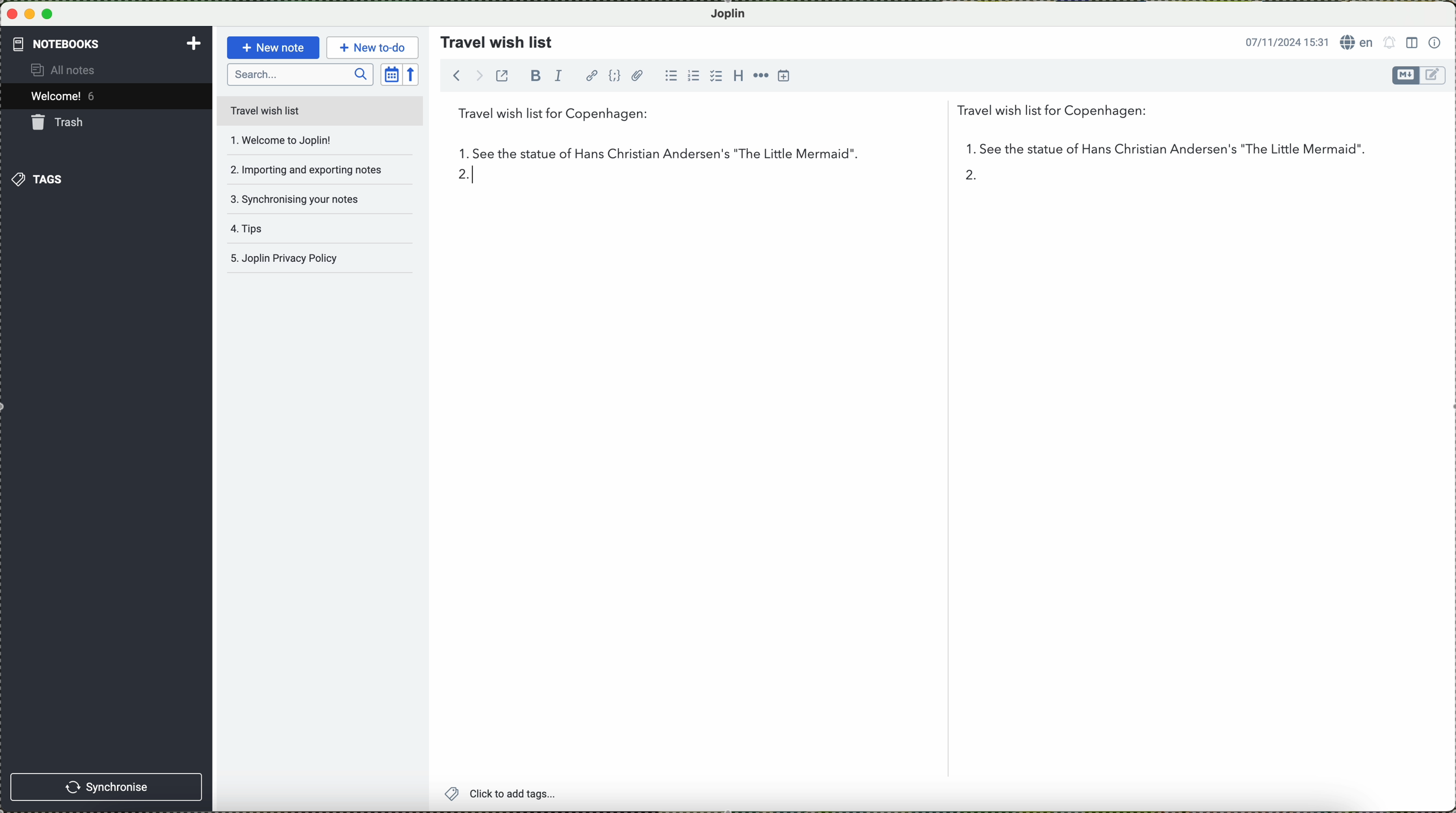 The width and height of the screenshot is (1456, 813). What do you see at coordinates (899, 153) in the screenshot?
I see `first point` at bounding box center [899, 153].